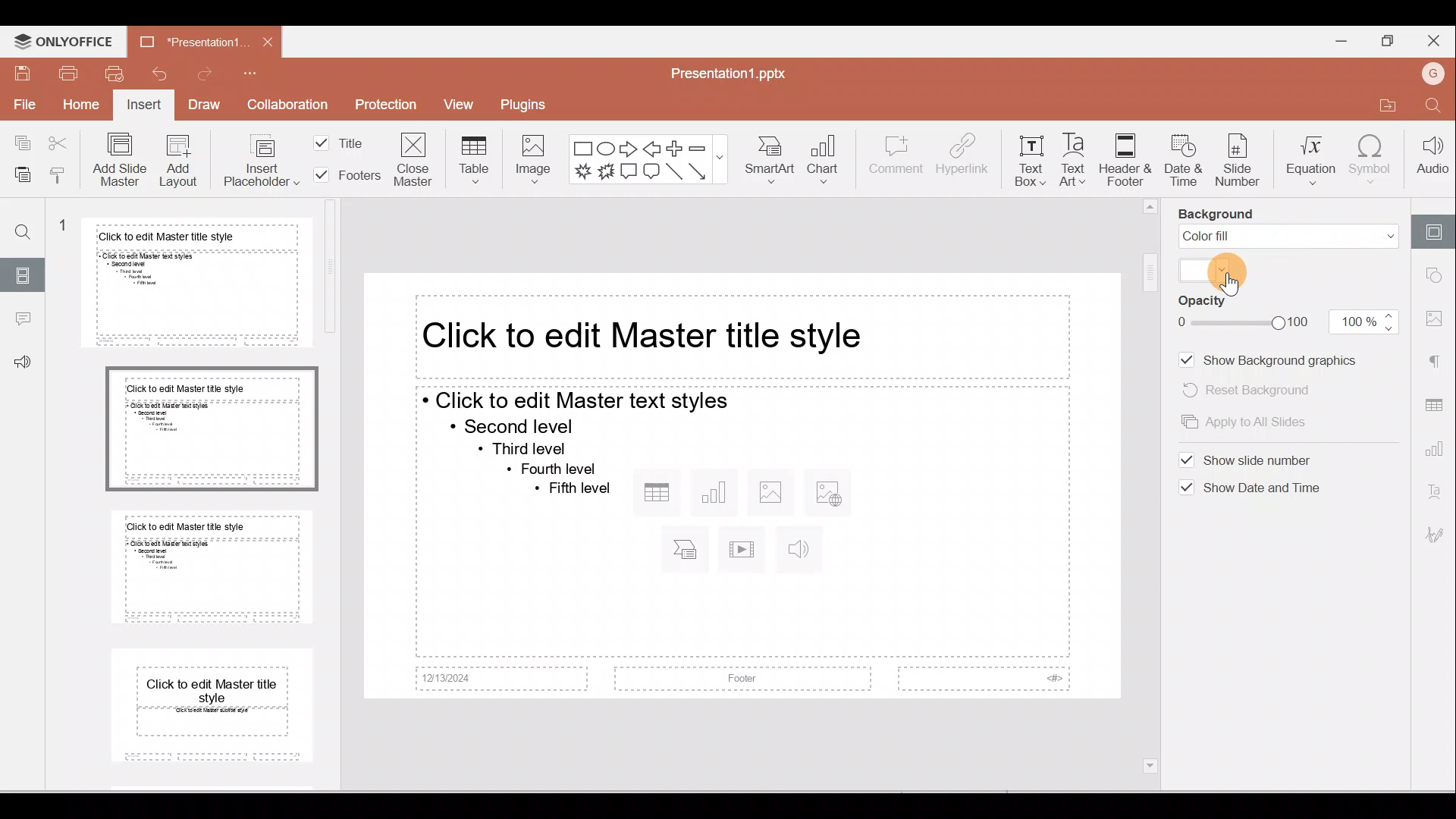 This screenshot has height=819, width=1456. I want to click on 1, so click(64, 224).